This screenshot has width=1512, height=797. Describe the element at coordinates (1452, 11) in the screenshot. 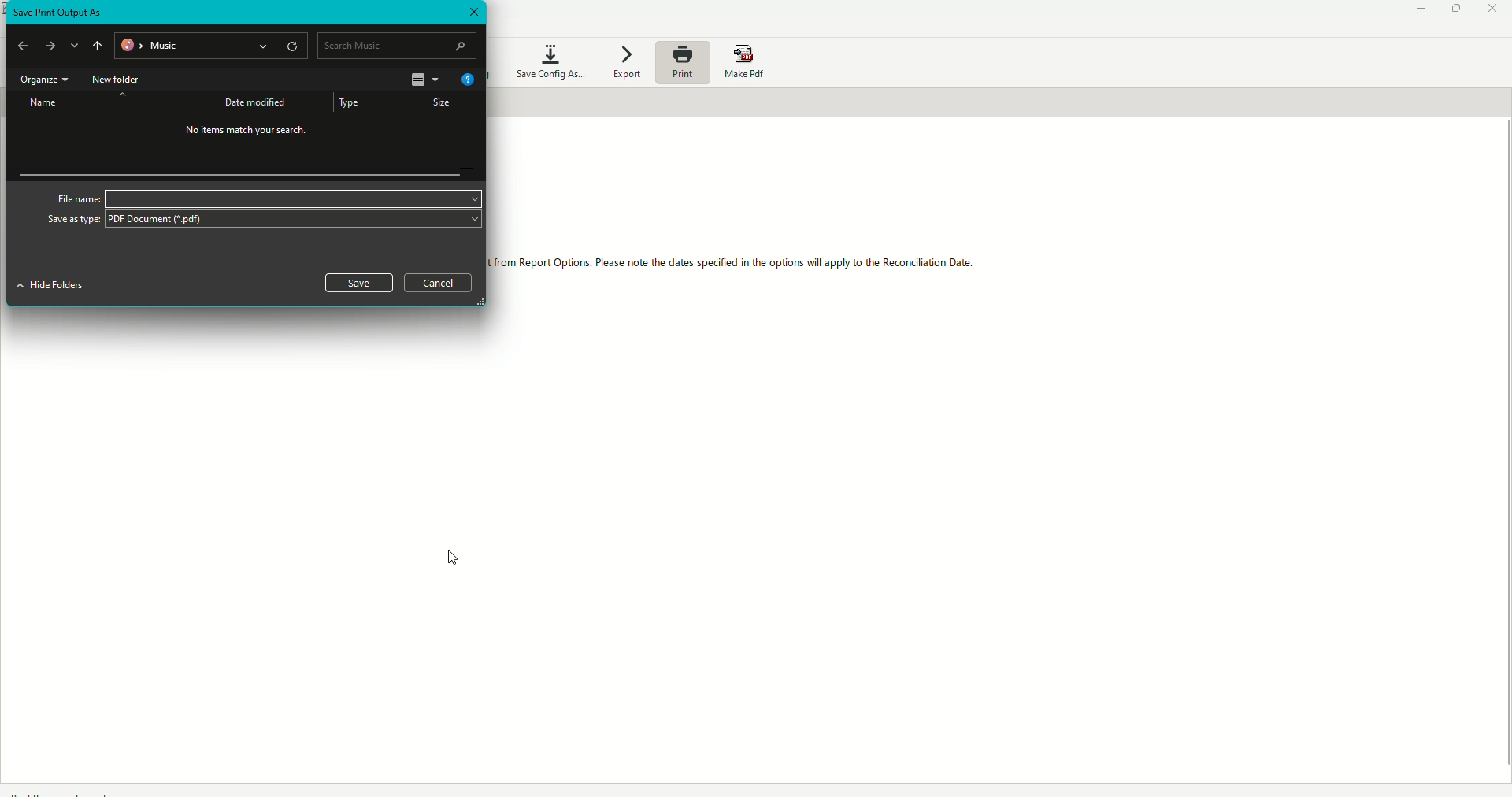

I see `Restore` at that location.